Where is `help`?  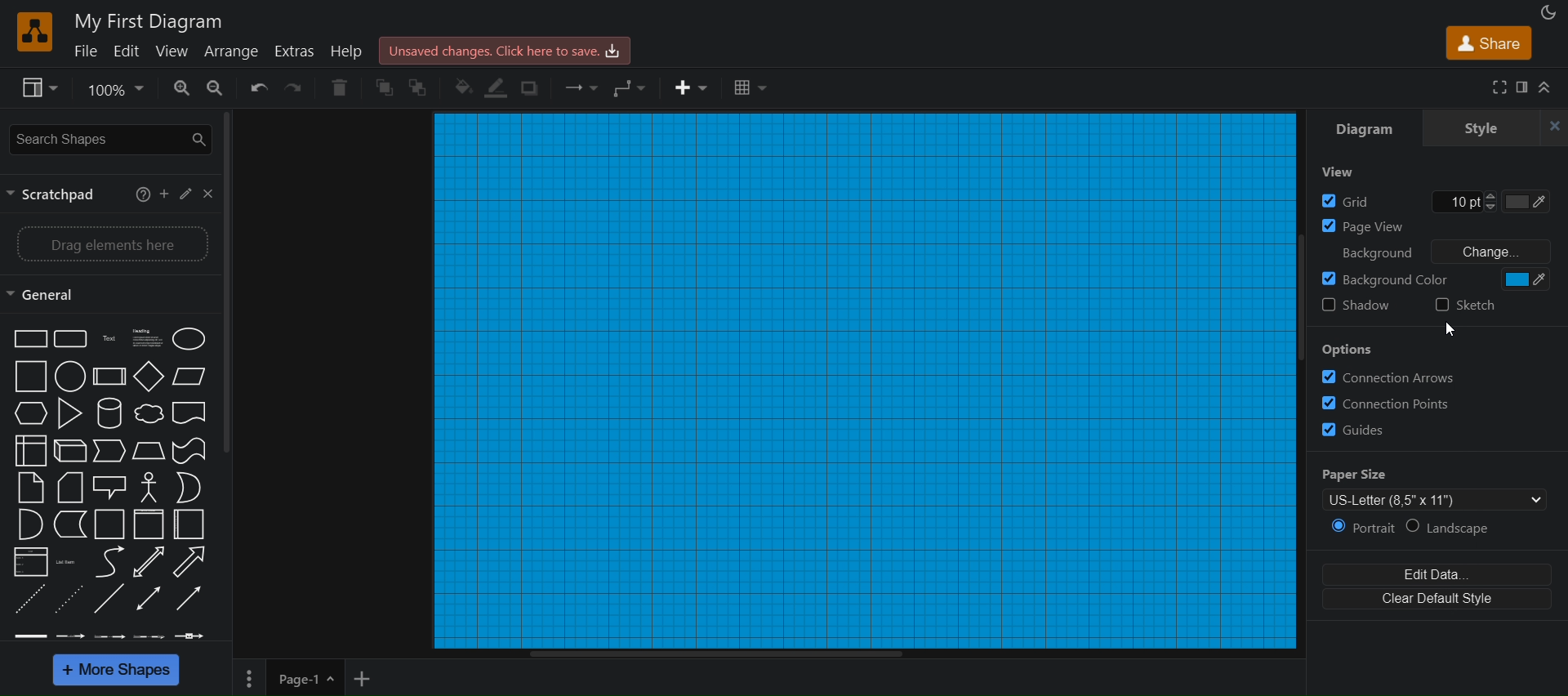
help is located at coordinates (142, 196).